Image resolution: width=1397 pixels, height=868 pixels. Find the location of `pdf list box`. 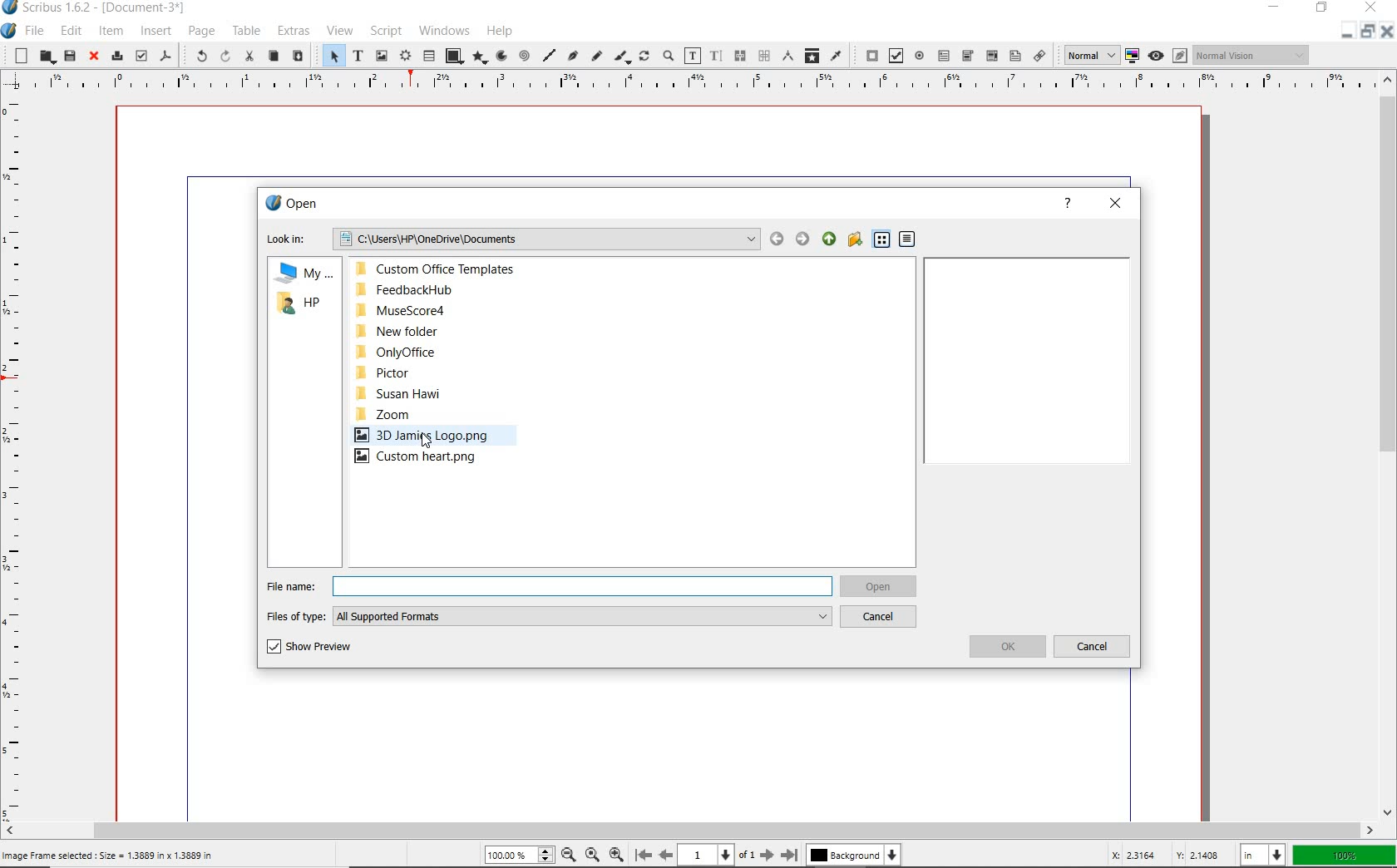

pdf list box is located at coordinates (1014, 55).